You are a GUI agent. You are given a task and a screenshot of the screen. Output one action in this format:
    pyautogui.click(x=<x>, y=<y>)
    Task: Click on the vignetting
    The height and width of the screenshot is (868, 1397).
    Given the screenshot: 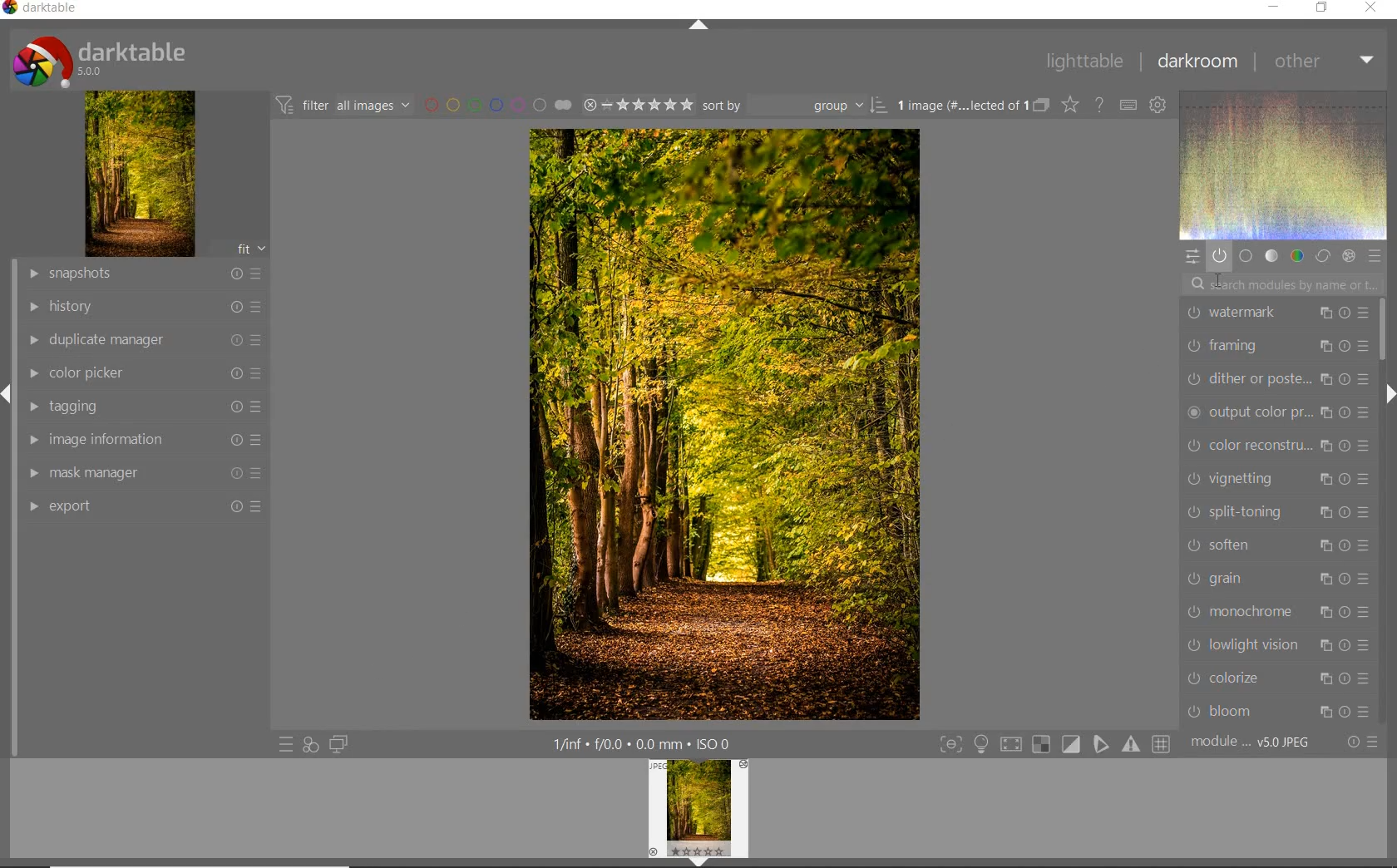 What is the action you would take?
    pyautogui.click(x=1277, y=479)
    